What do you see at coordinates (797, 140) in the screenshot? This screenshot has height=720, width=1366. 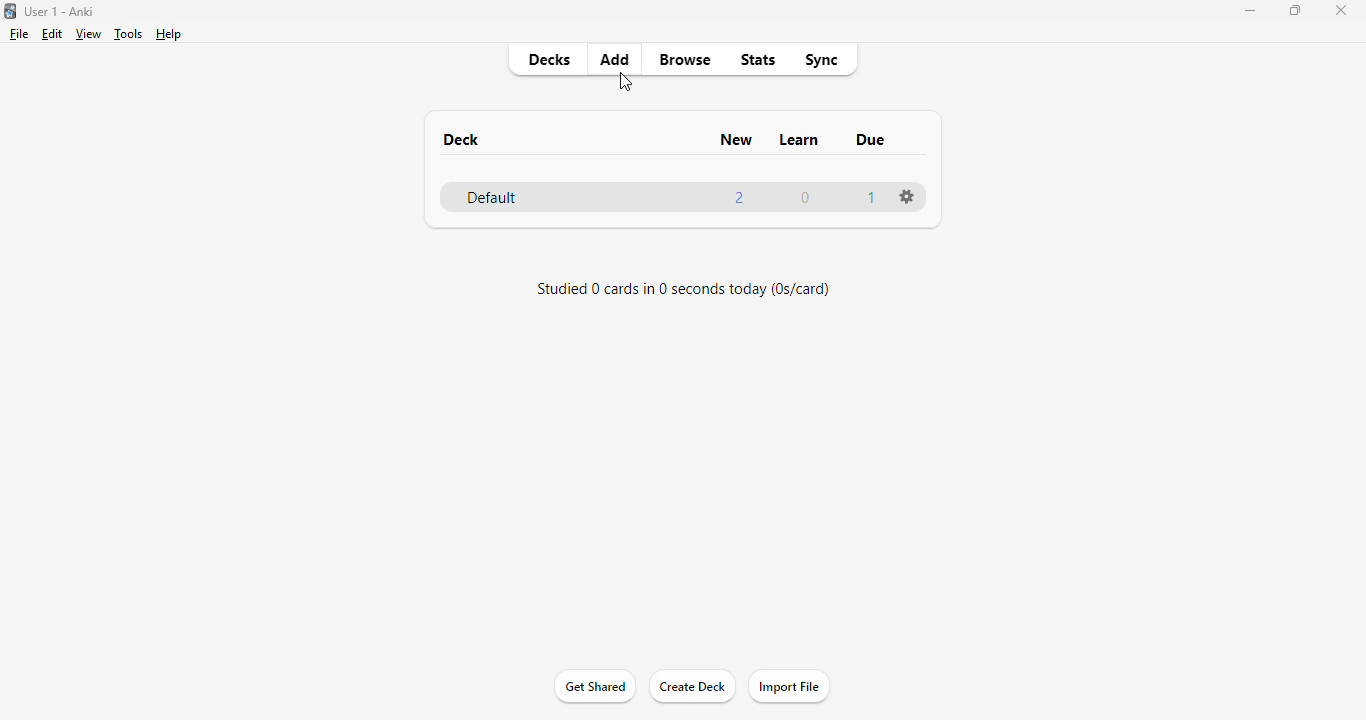 I see `learn` at bounding box center [797, 140].